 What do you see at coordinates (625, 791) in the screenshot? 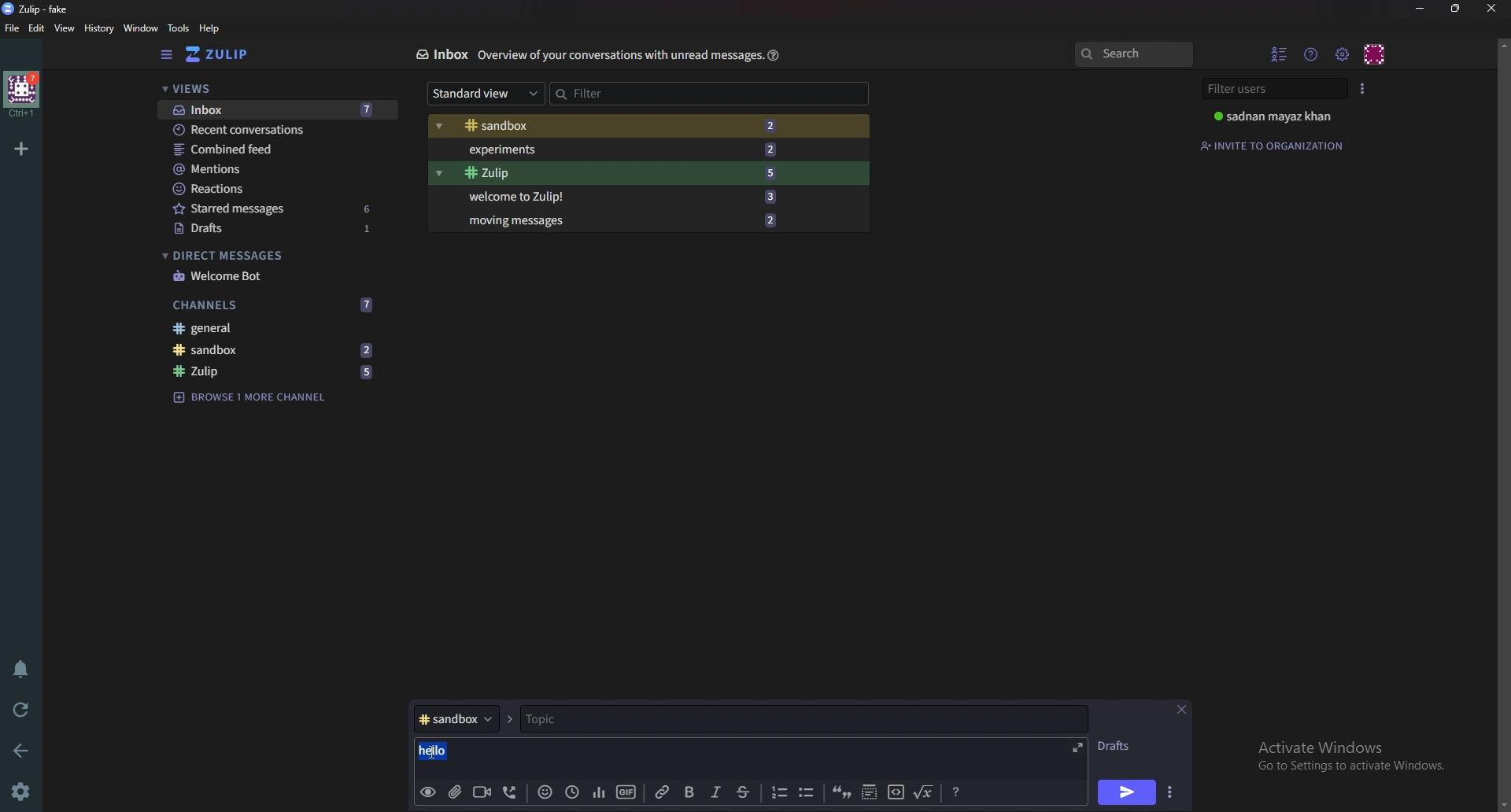
I see `gif` at bounding box center [625, 791].